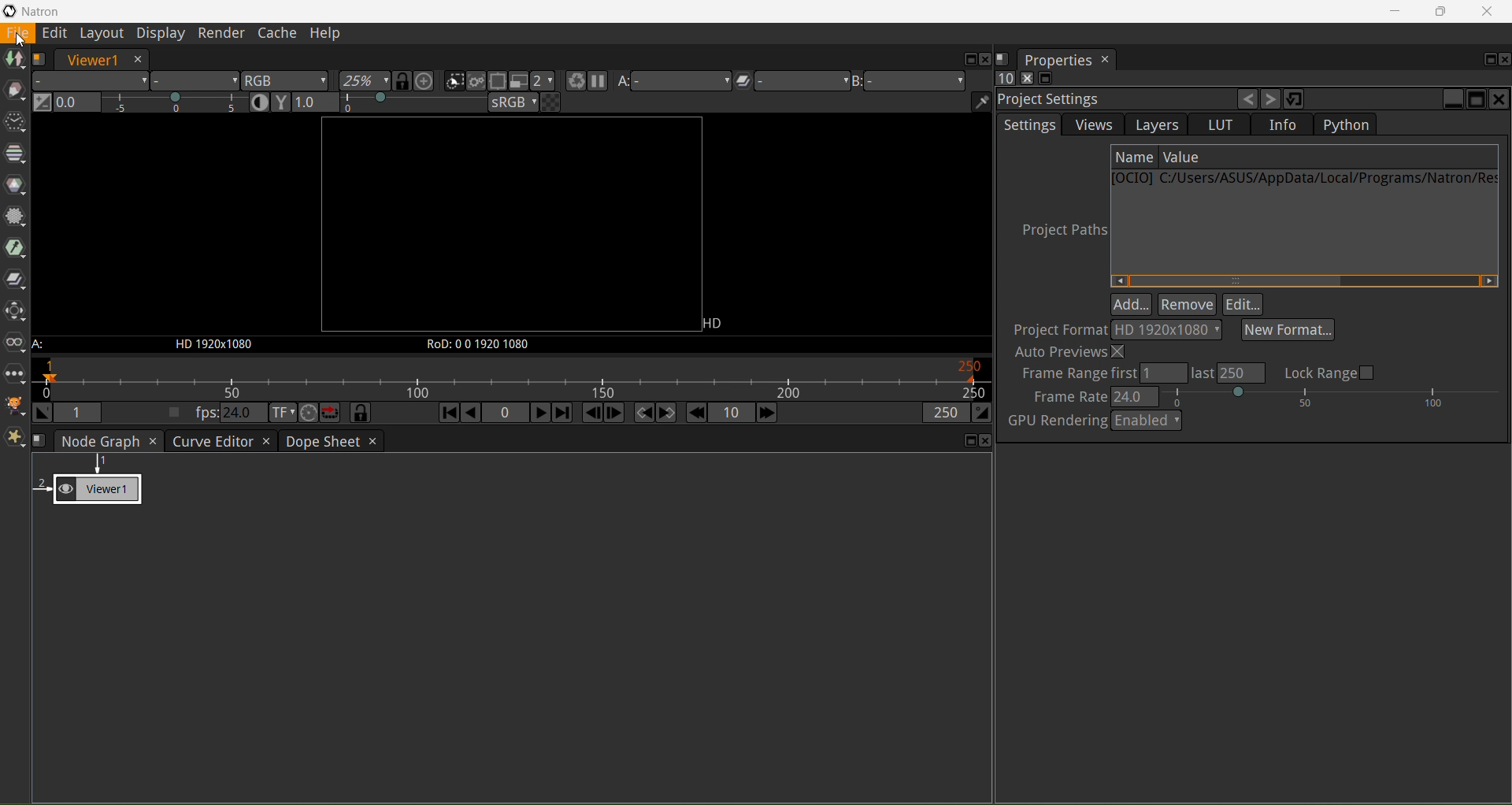 This screenshot has width=1512, height=805. What do you see at coordinates (104, 33) in the screenshot?
I see `Layout` at bounding box center [104, 33].